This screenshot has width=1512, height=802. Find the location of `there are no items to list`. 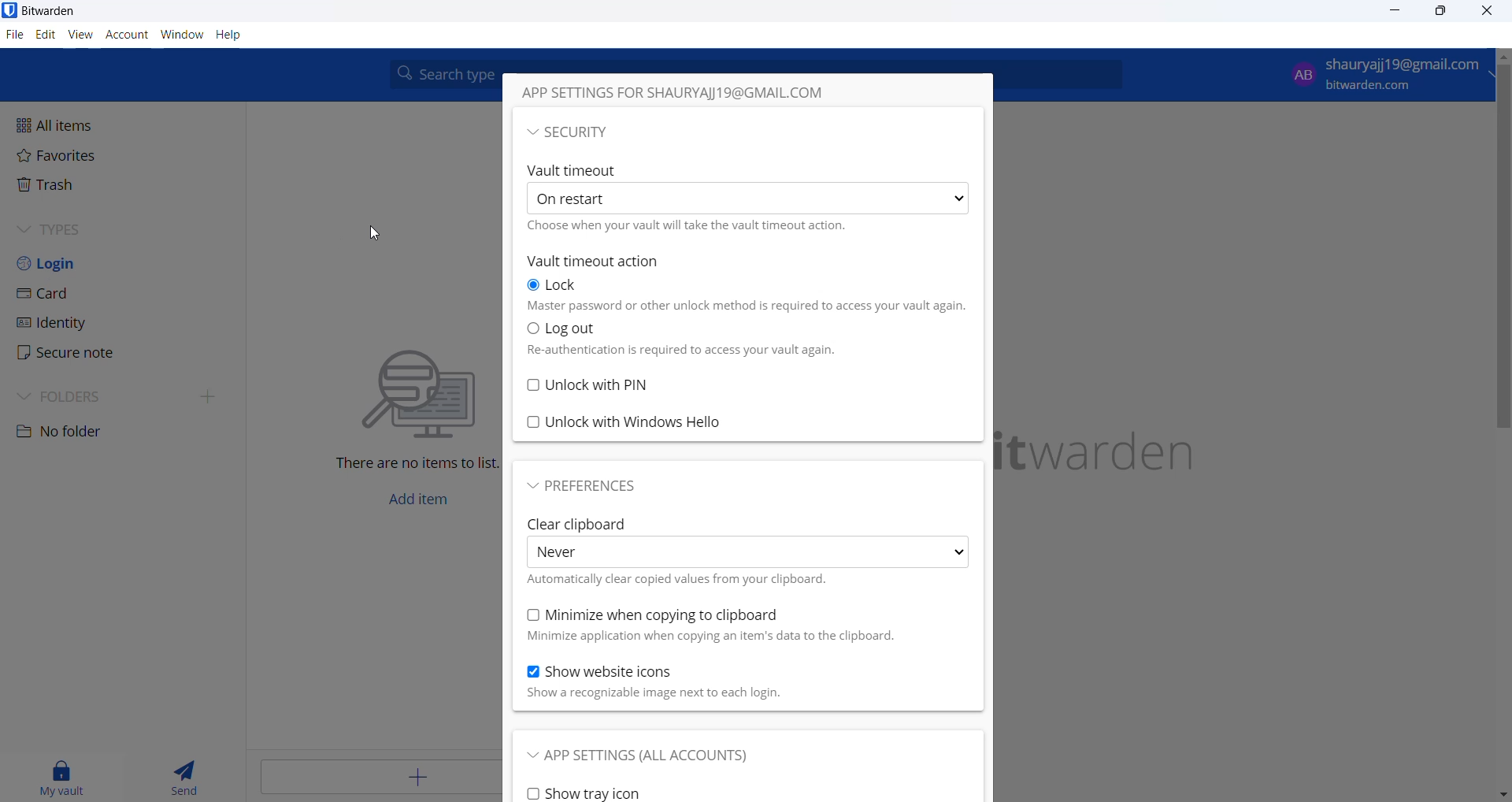

there are no items to list is located at coordinates (405, 398).